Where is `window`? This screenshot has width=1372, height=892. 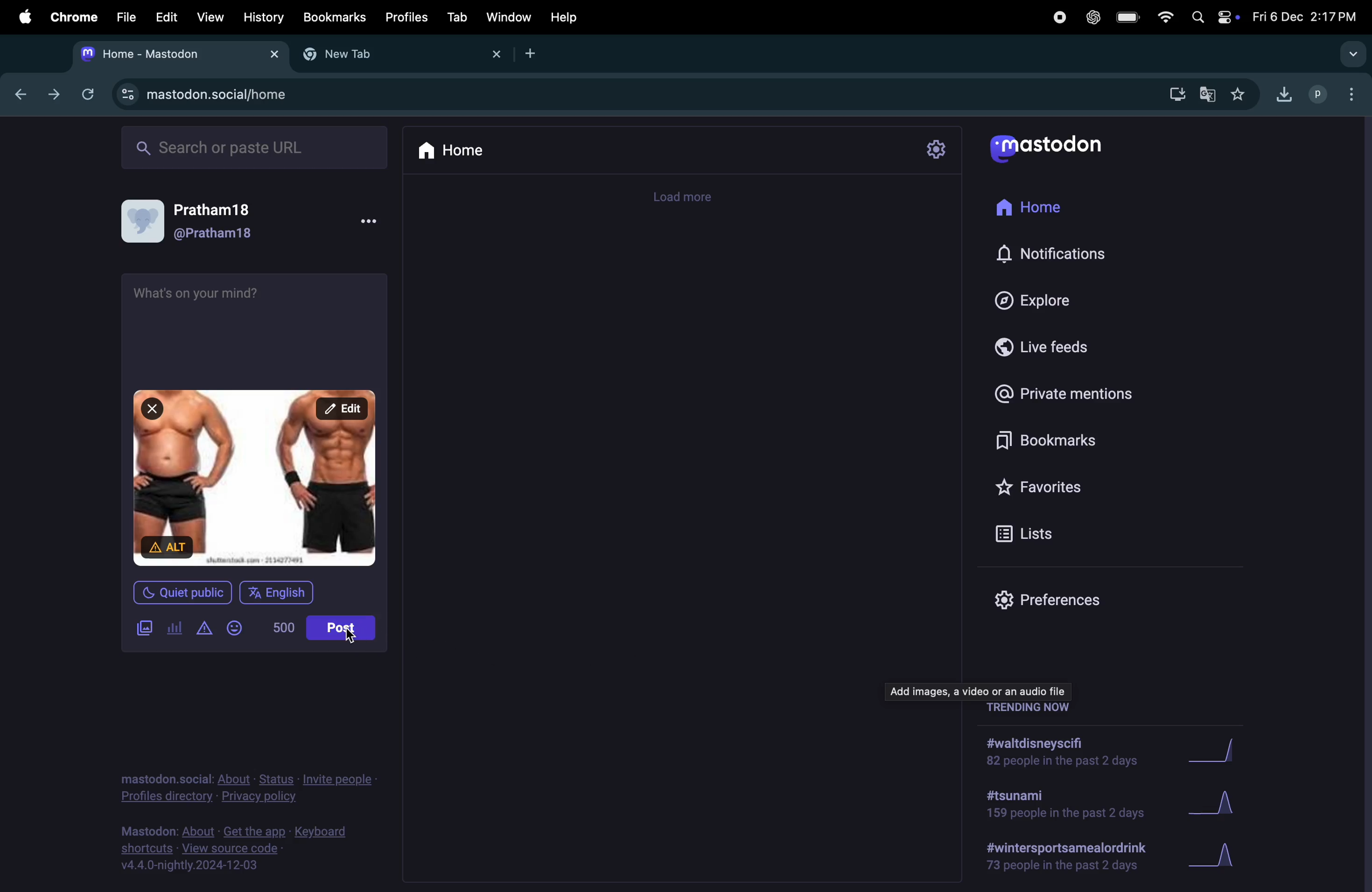
window is located at coordinates (510, 18).